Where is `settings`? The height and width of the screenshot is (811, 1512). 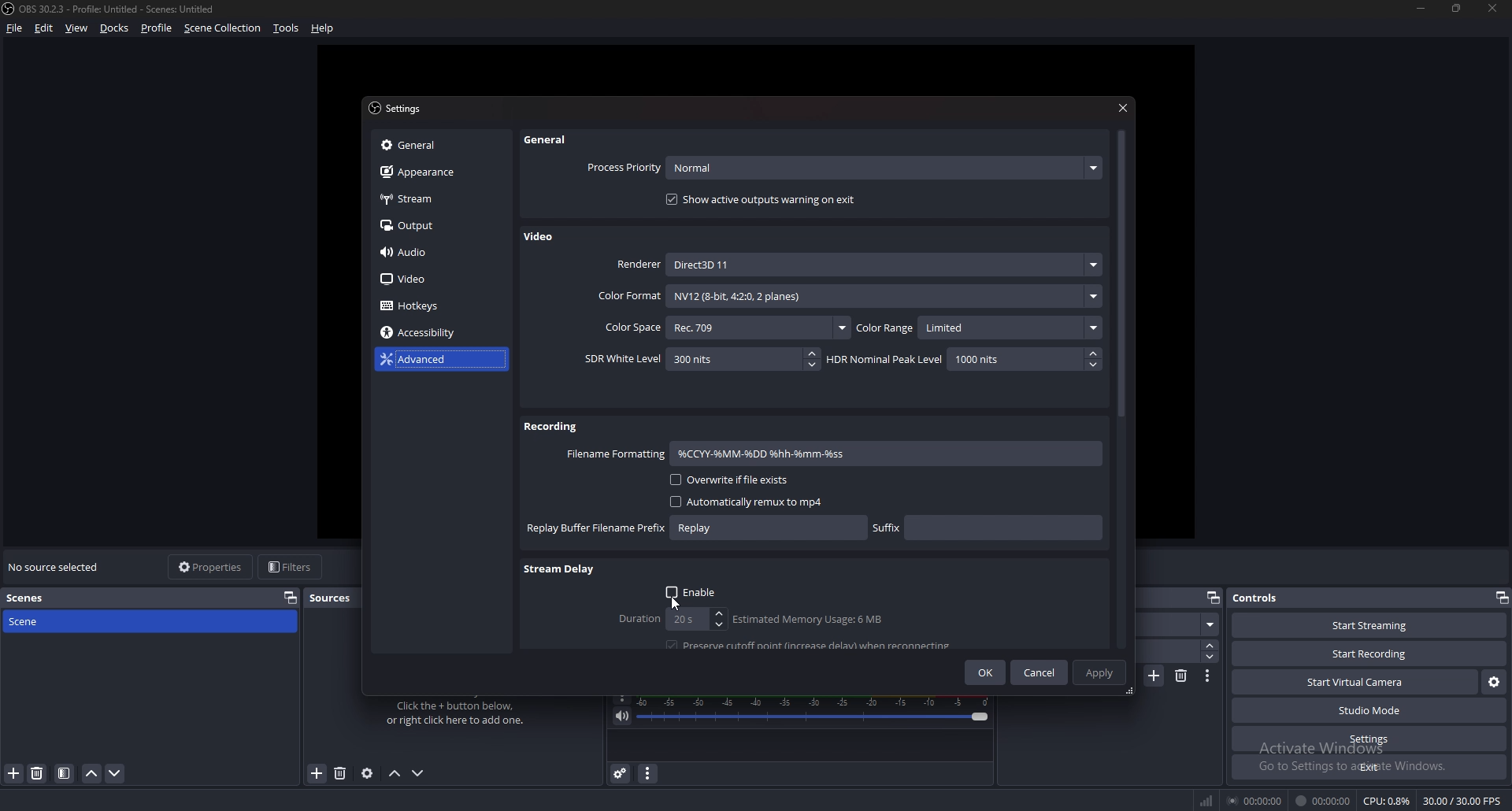 settings is located at coordinates (1369, 739).